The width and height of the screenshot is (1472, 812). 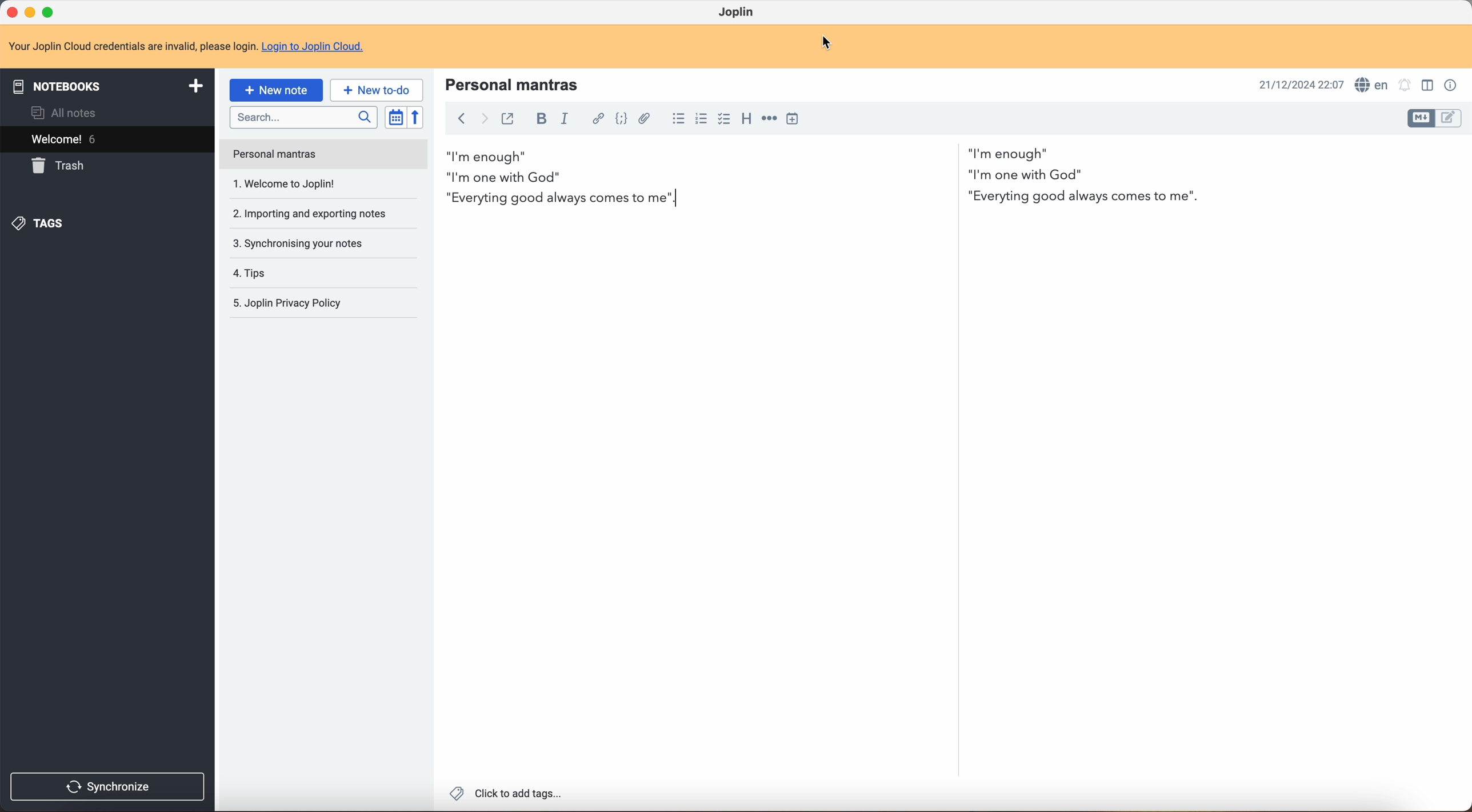 I want to click on tips, so click(x=294, y=245).